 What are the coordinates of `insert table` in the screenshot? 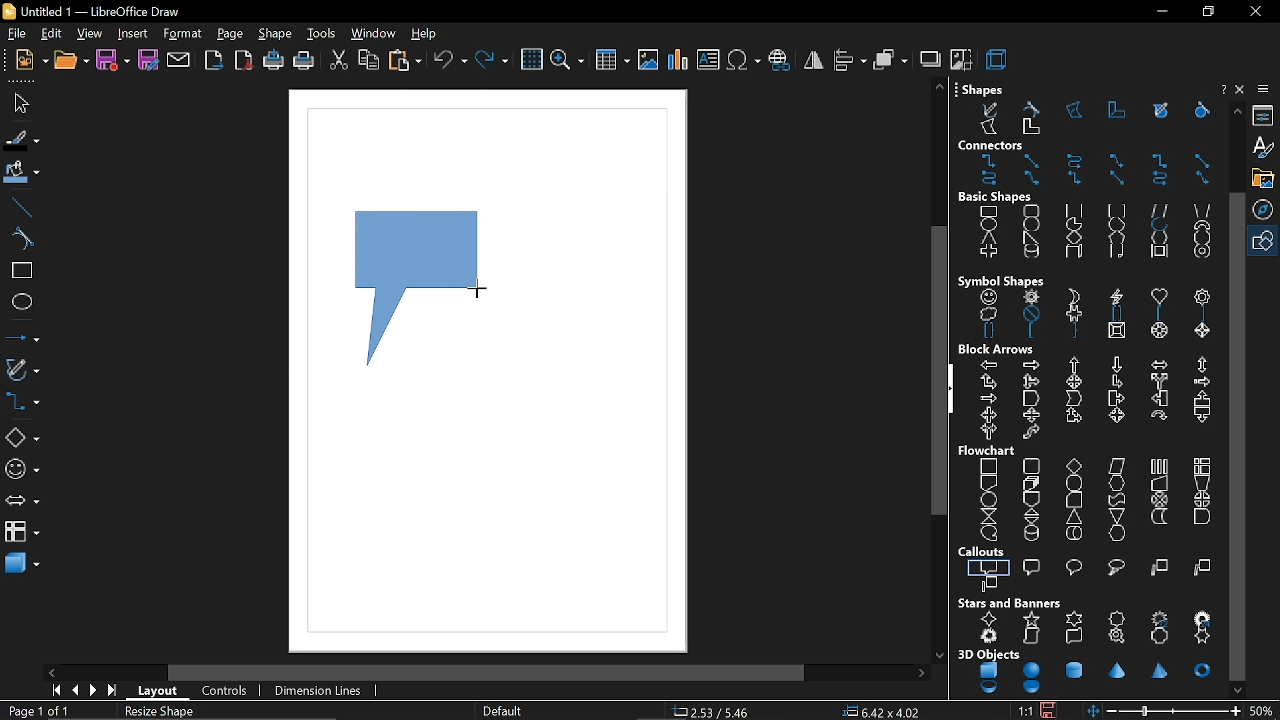 It's located at (611, 62).